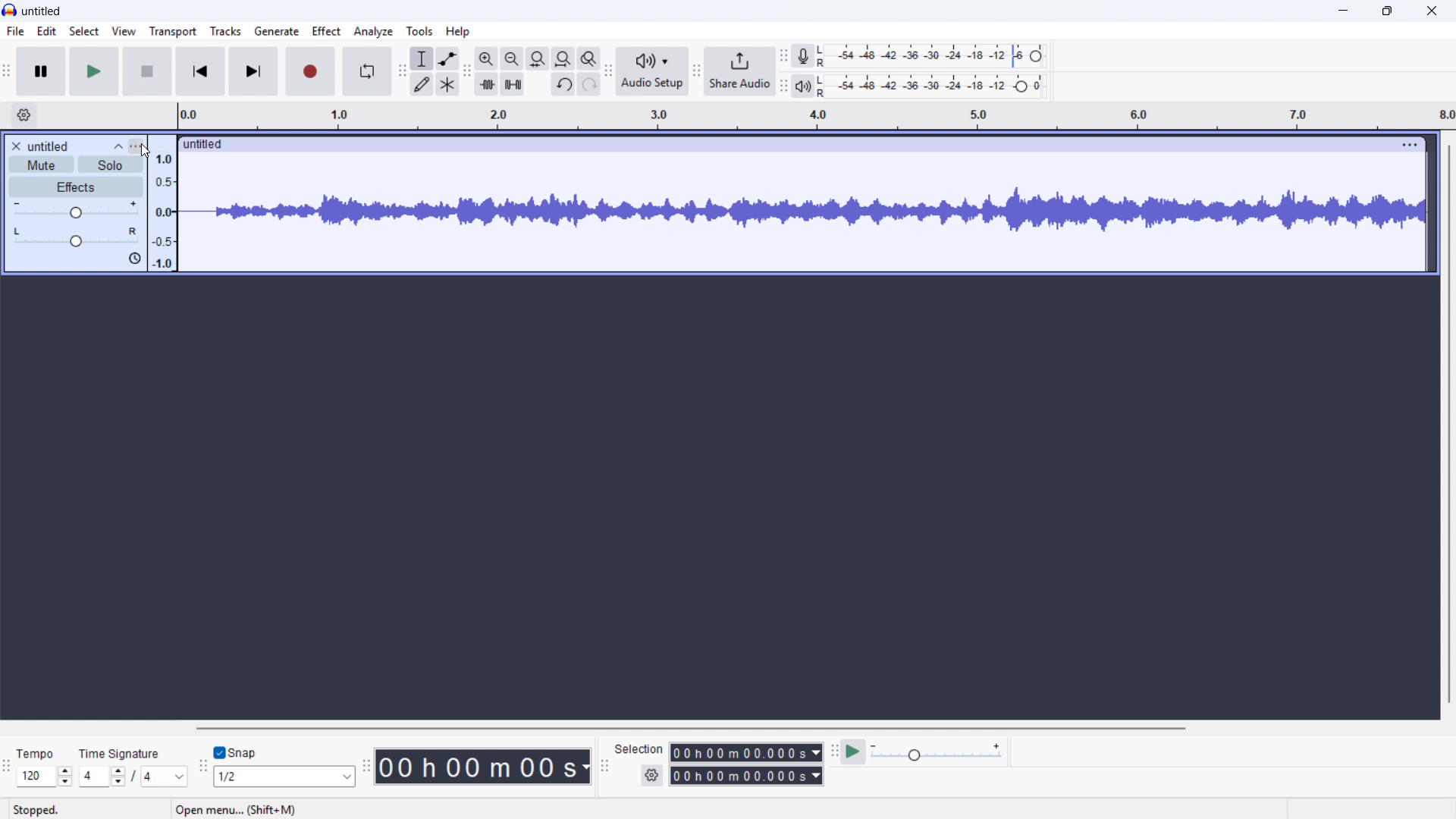  What do you see at coordinates (46, 32) in the screenshot?
I see `Edit ` at bounding box center [46, 32].